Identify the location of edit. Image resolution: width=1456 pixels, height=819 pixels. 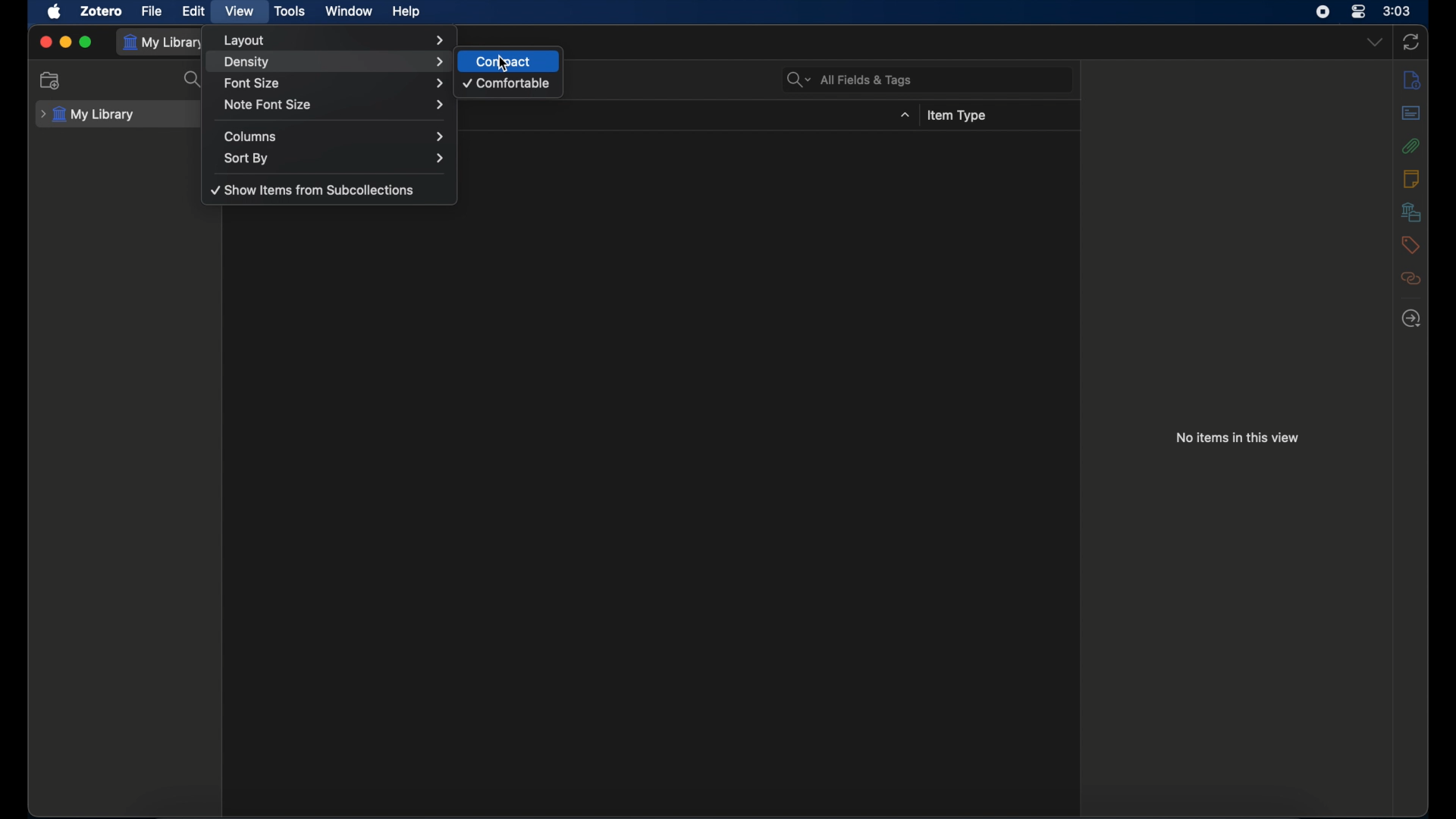
(193, 11).